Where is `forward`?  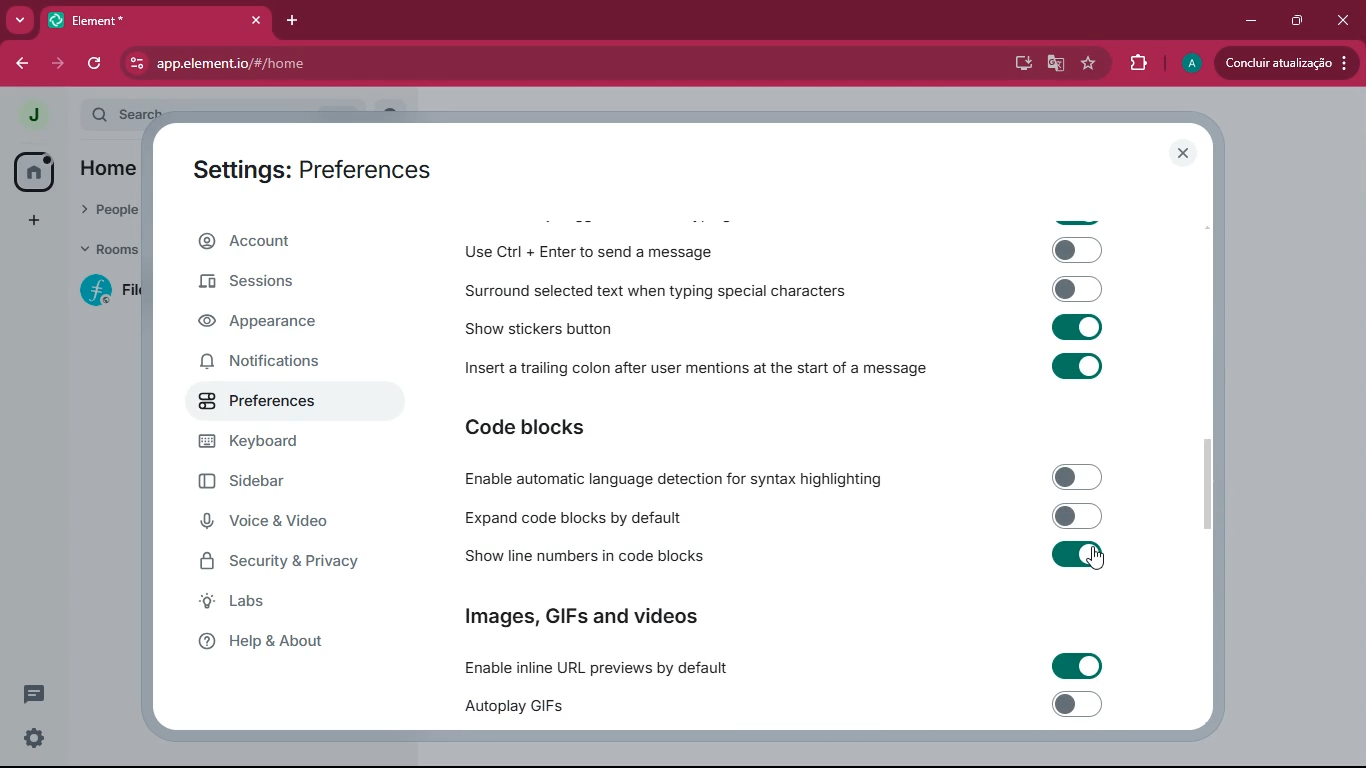 forward is located at coordinates (62, 63).